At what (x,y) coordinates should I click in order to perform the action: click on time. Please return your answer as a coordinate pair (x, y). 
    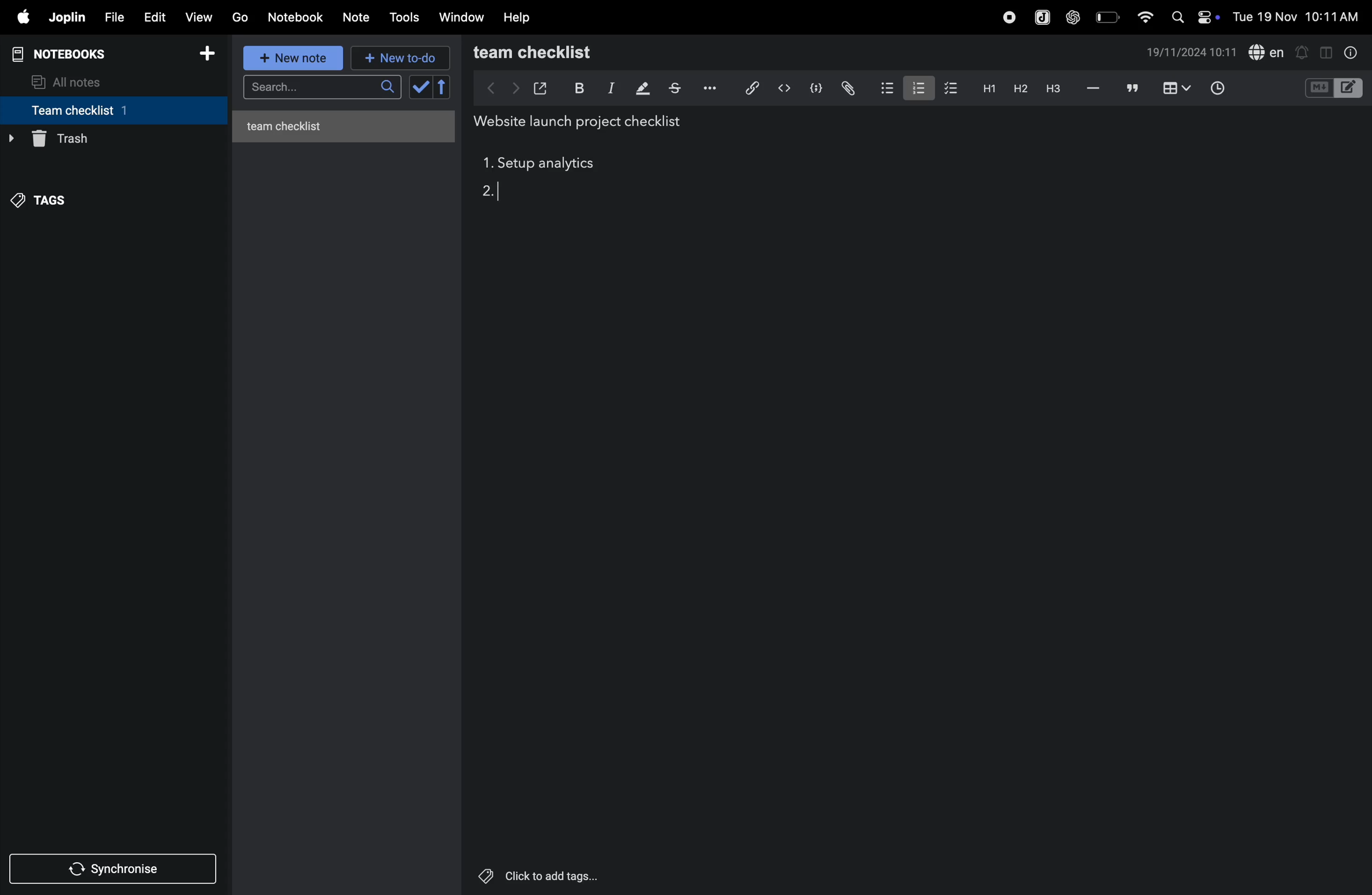
    Looking at the image, I should click on (1219, 87).